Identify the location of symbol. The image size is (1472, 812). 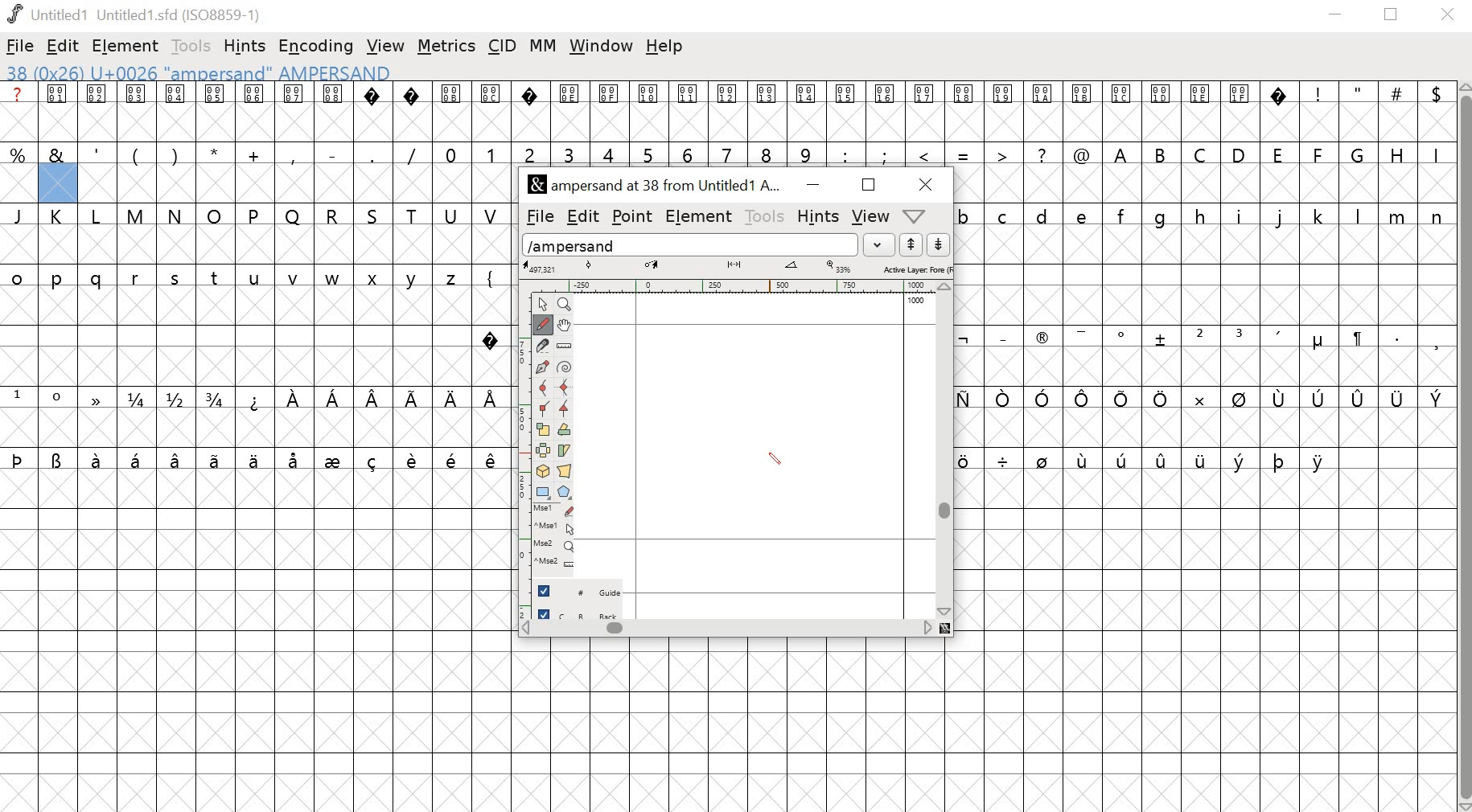
(1043, 397).